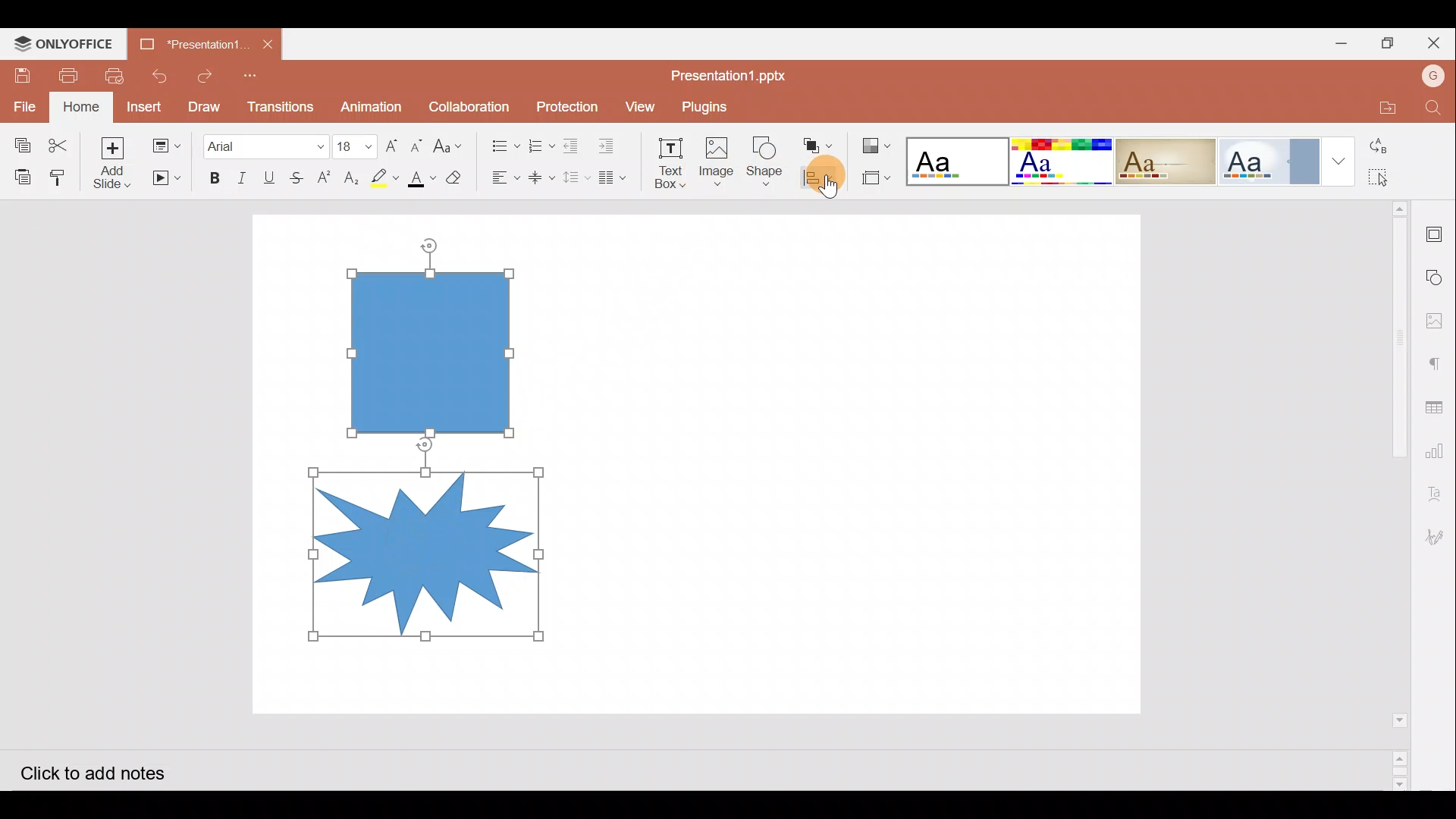 This screenshot has height=819, width=1456. What do you see at coordinates (61, 175) in the screenshot?
I see `Copy style` at bounding box center [61, 175].